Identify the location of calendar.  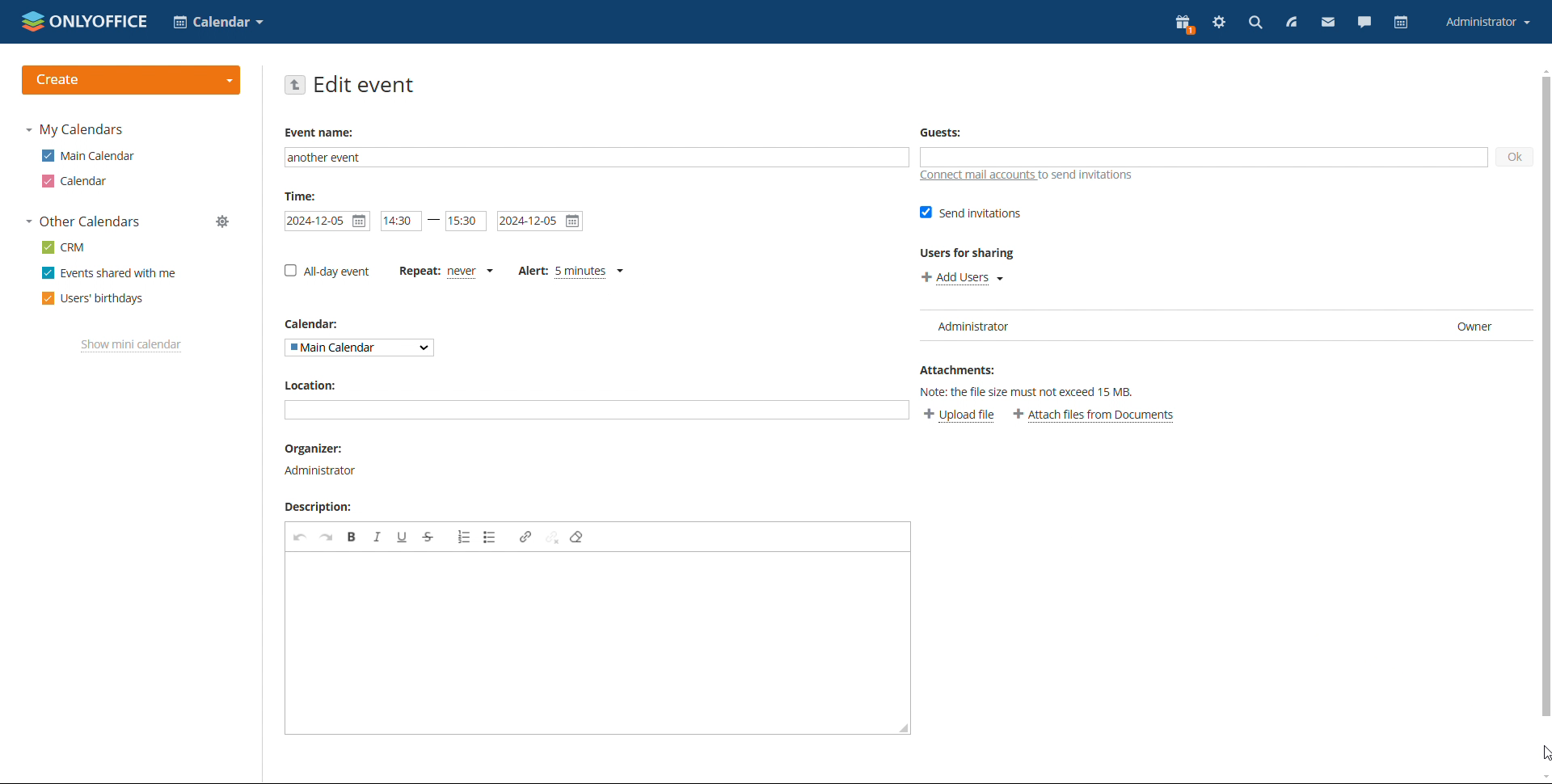
(77, 181).